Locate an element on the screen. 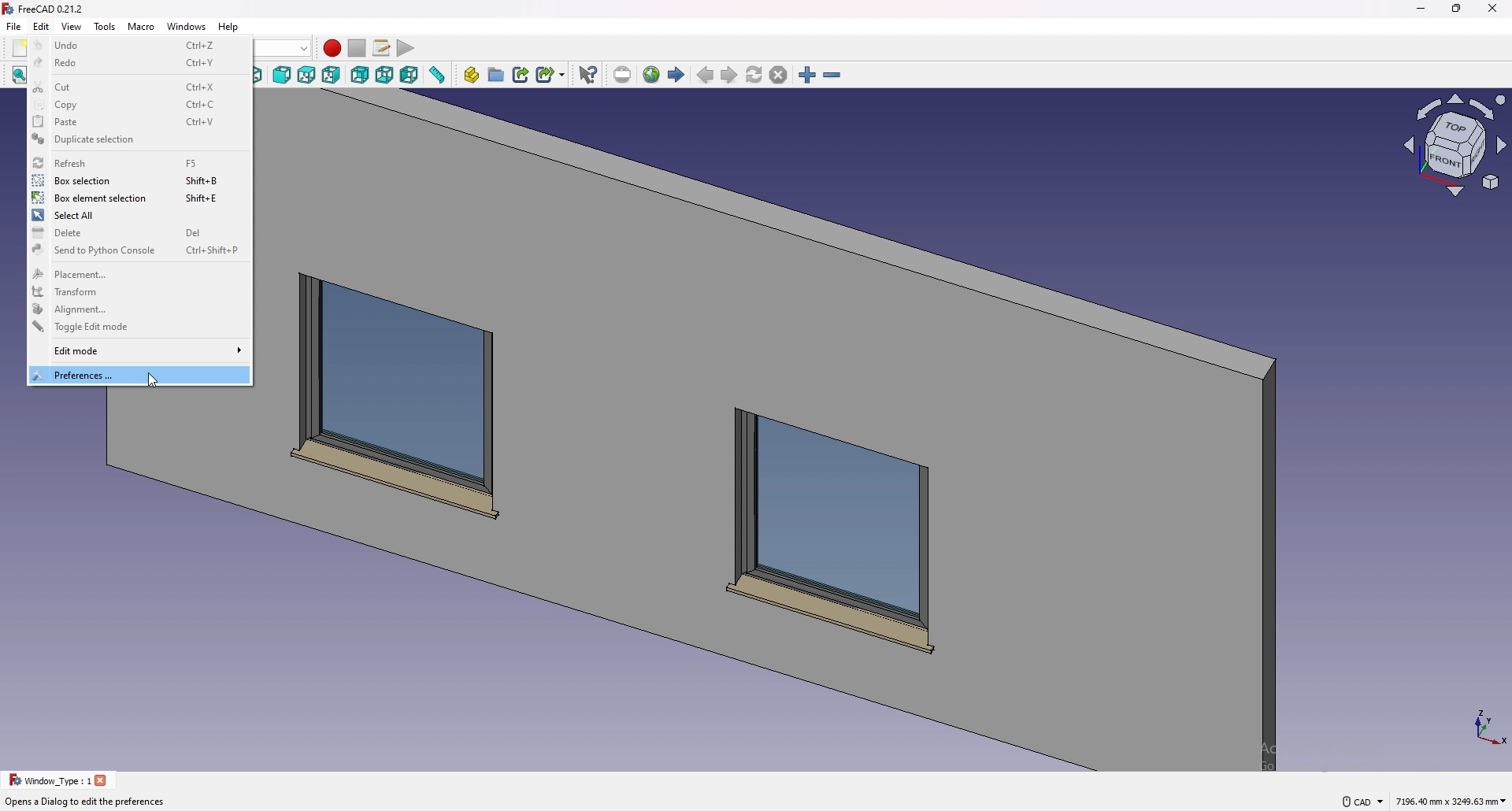 This screenshot has height=811, width=1512. make sub link is located at coordinates (551, 73).